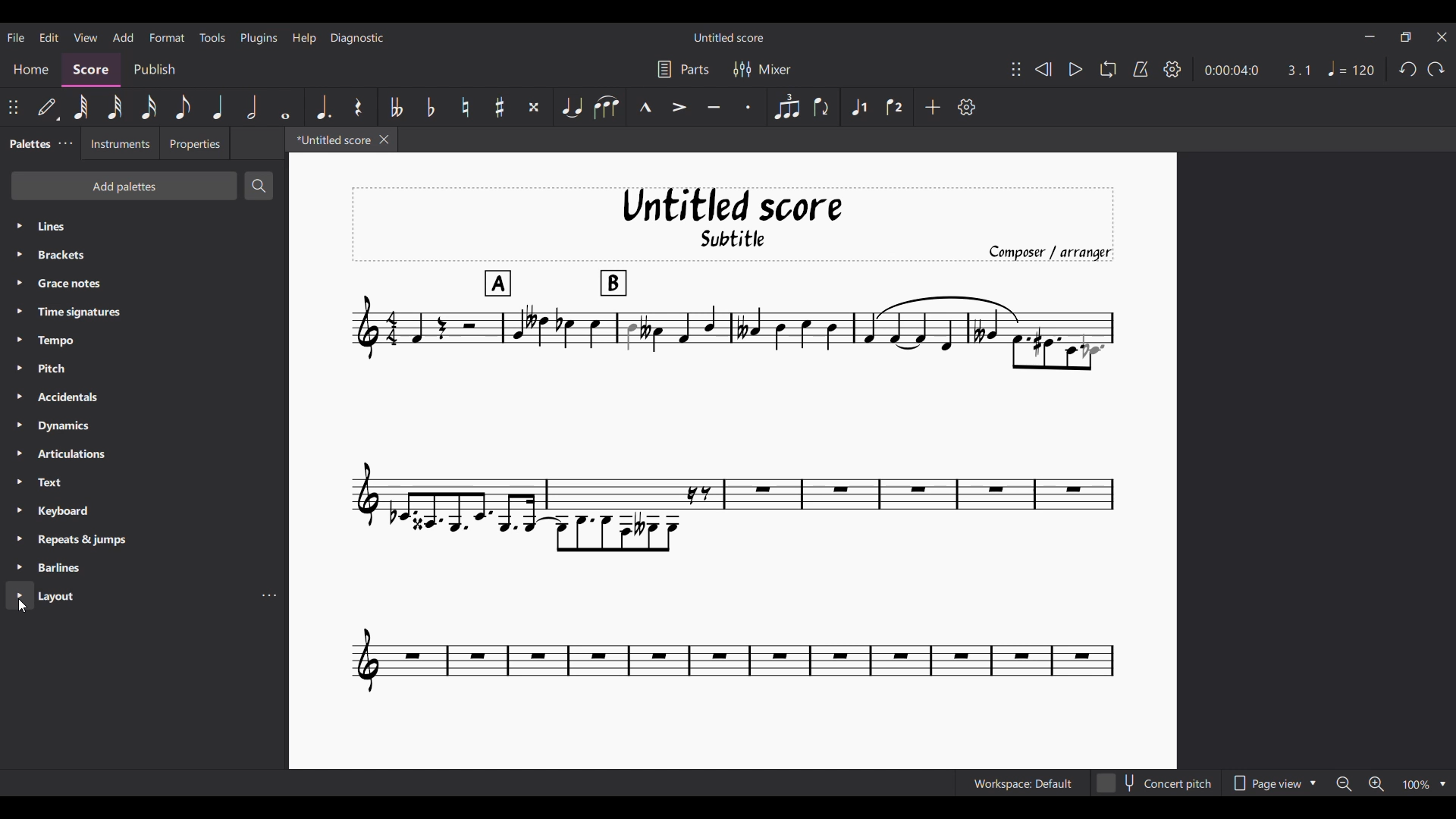 The height and width of the screenshot is (819, 1456). Describe the element at coordinates (1023, 783) in the screenshot. I see `Workspace: Default` at that location.